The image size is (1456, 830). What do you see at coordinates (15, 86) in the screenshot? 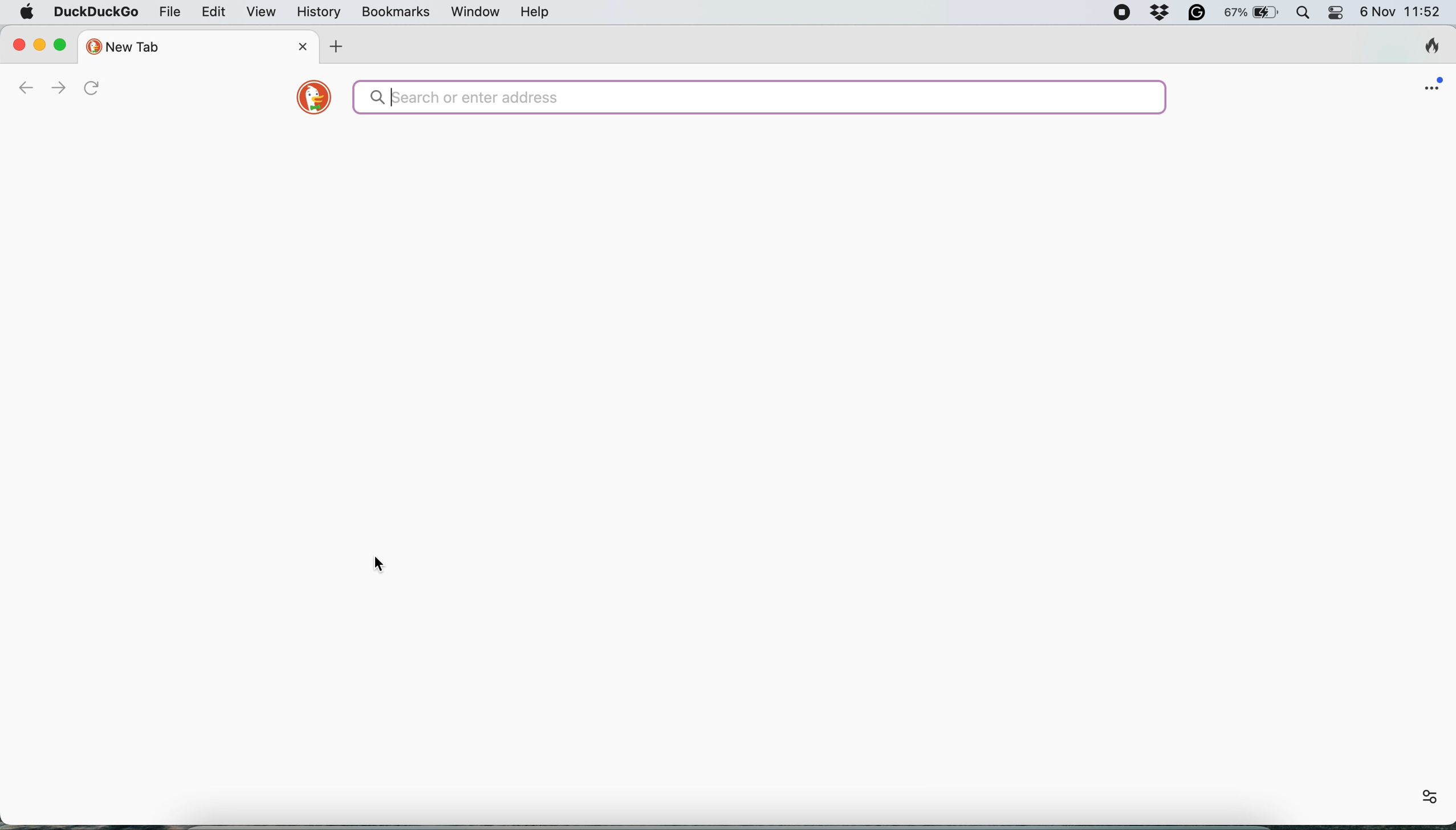
I see `go back` at bounding box center [15, 86].